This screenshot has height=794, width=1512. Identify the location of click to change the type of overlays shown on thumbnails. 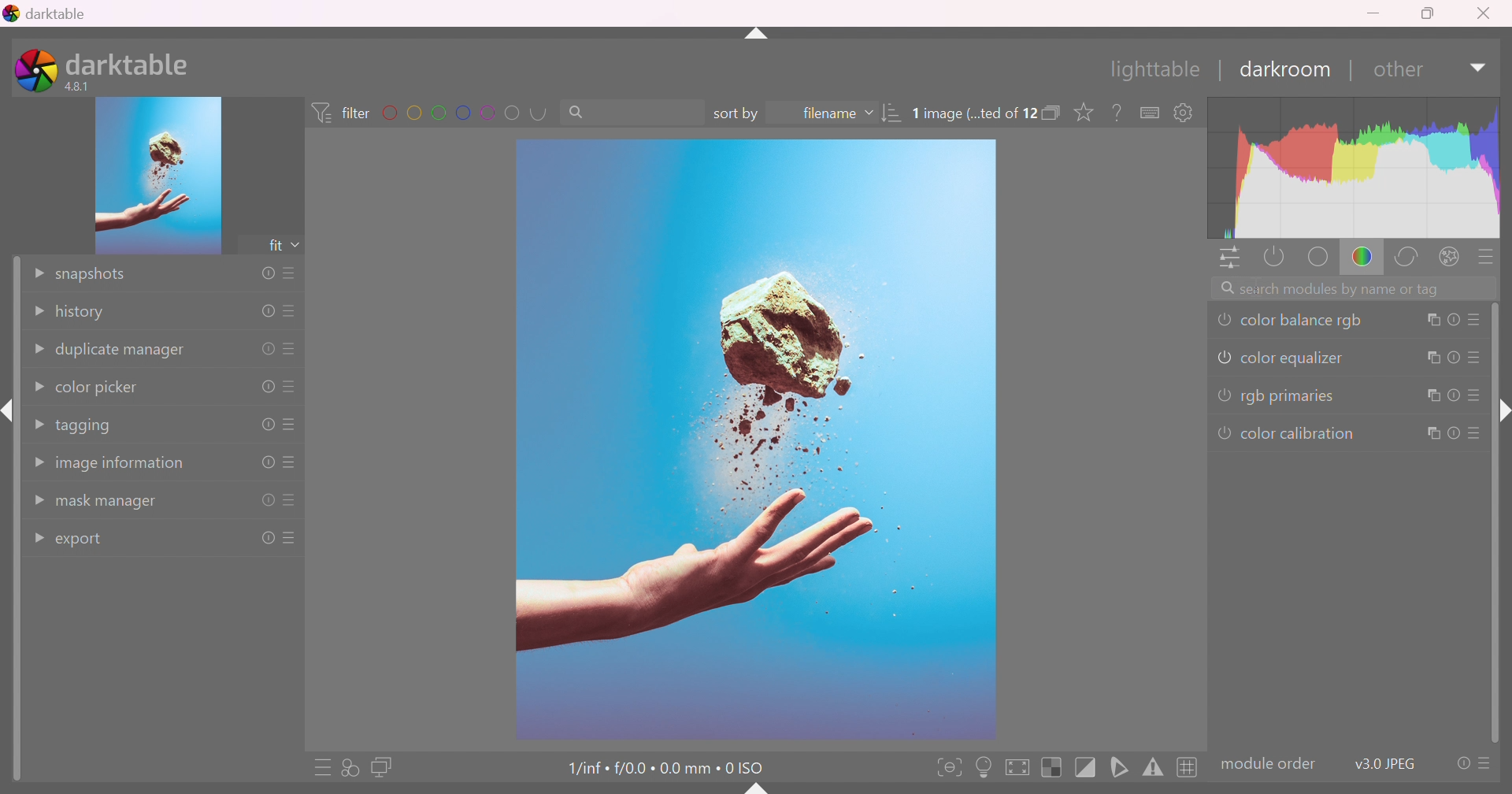
(1084, 113).